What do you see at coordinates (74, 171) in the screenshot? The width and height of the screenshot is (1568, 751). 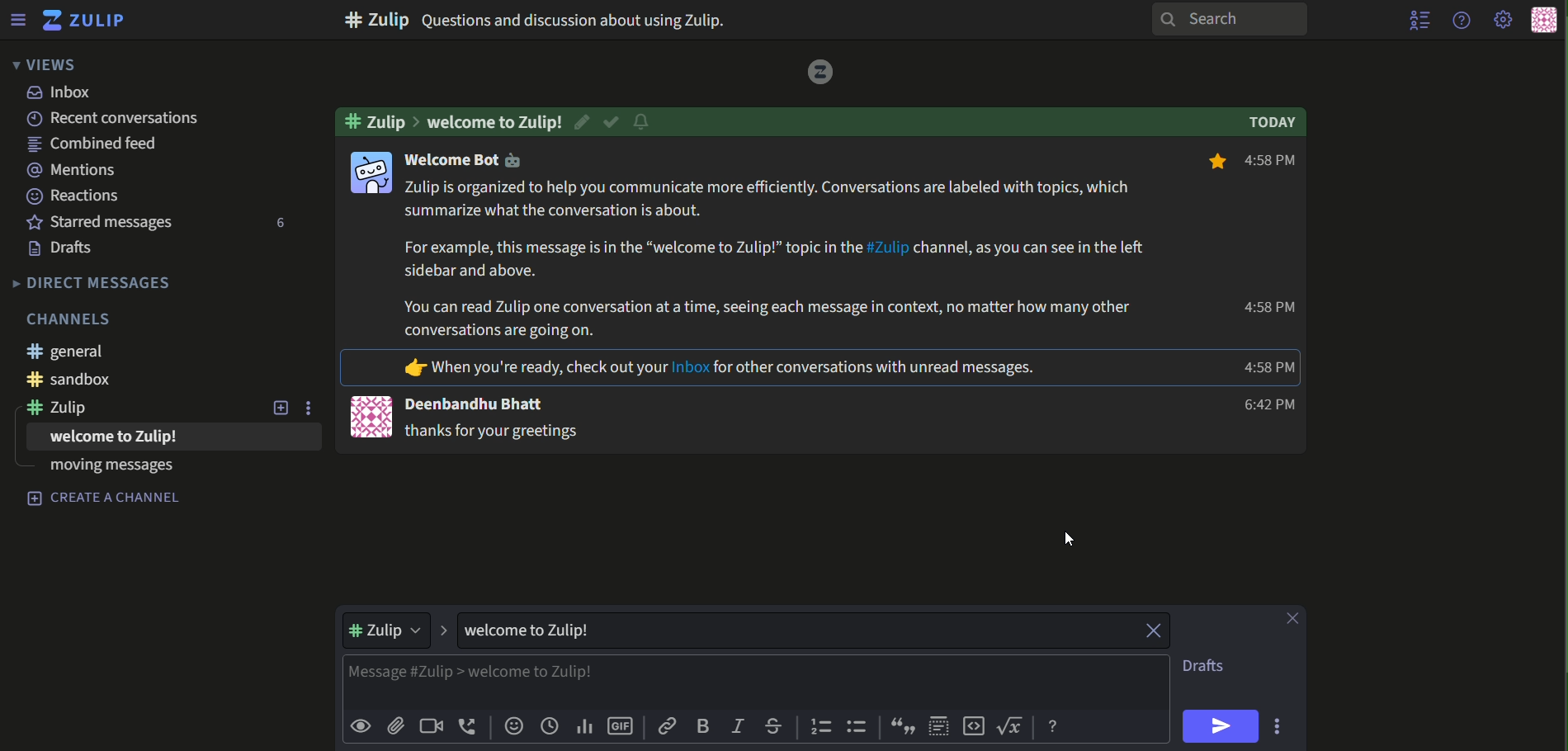 I see `text` at bounding box center [74, 171].